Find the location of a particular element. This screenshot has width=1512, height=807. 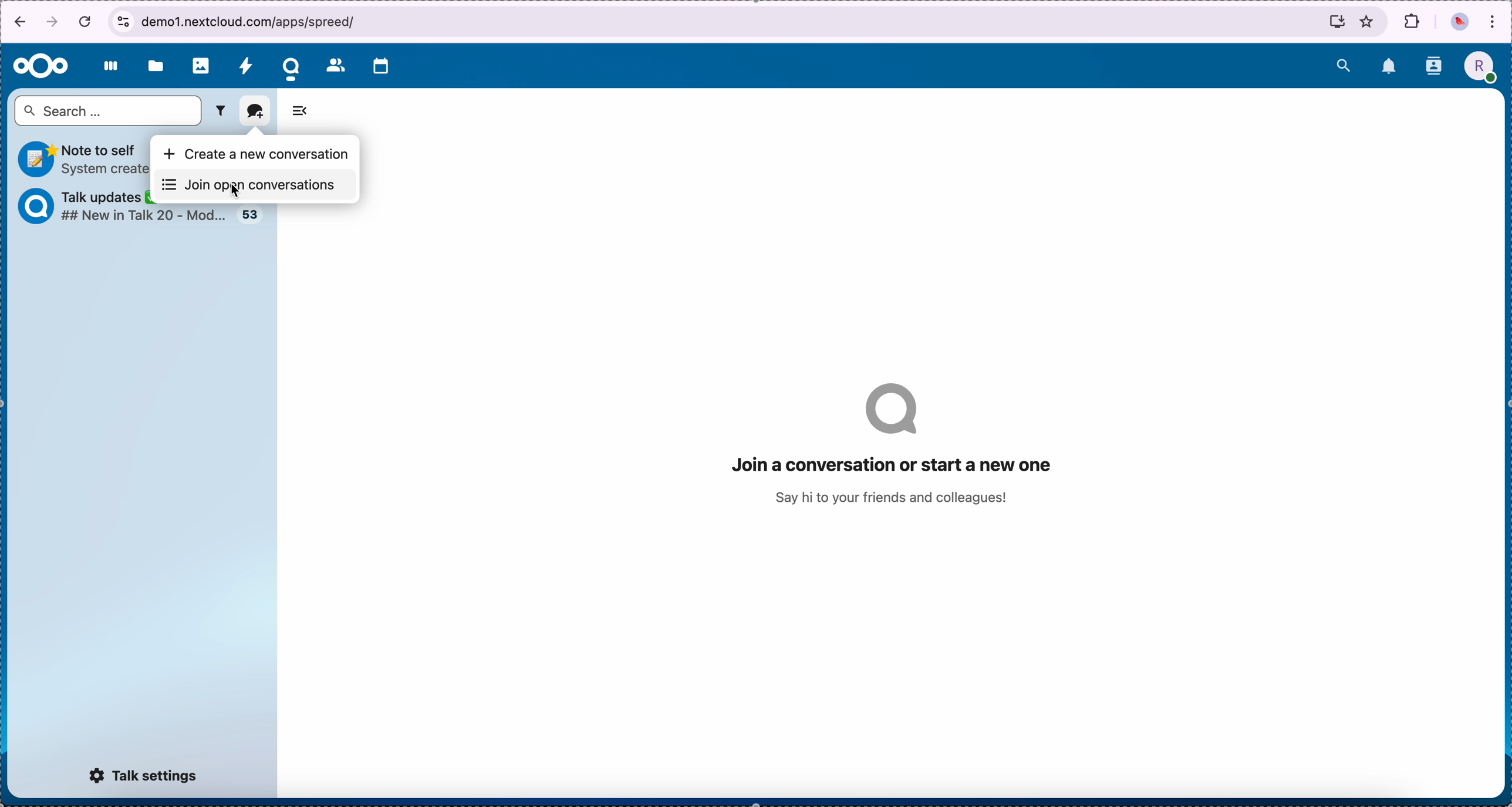

customize and control Google Chrome is located at coordinates (1493, 25).